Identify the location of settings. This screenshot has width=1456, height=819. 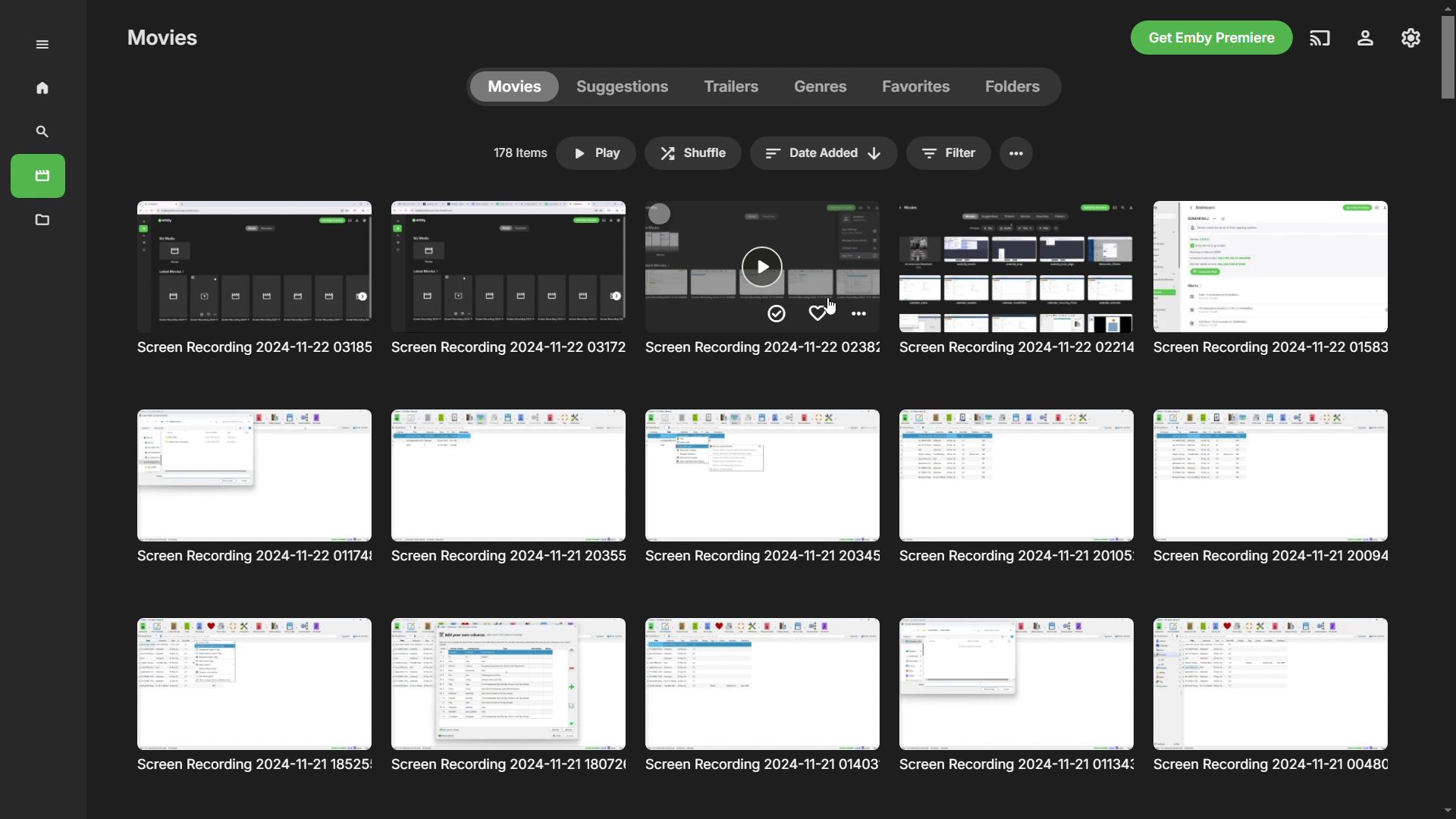
(1410, 37).